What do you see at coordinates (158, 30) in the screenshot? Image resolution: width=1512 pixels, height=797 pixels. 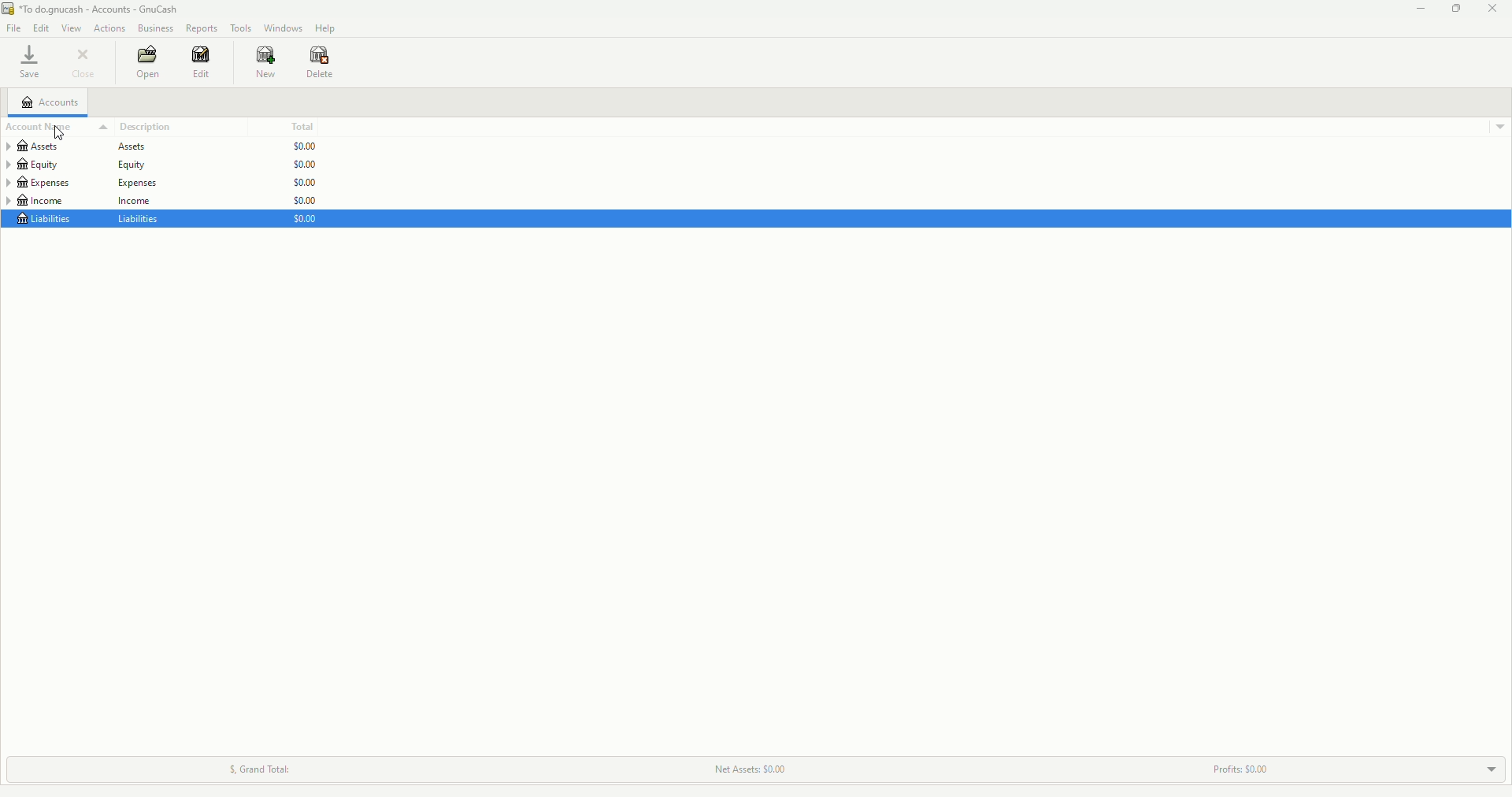 I see `Business` at bounding box center [158, 30].